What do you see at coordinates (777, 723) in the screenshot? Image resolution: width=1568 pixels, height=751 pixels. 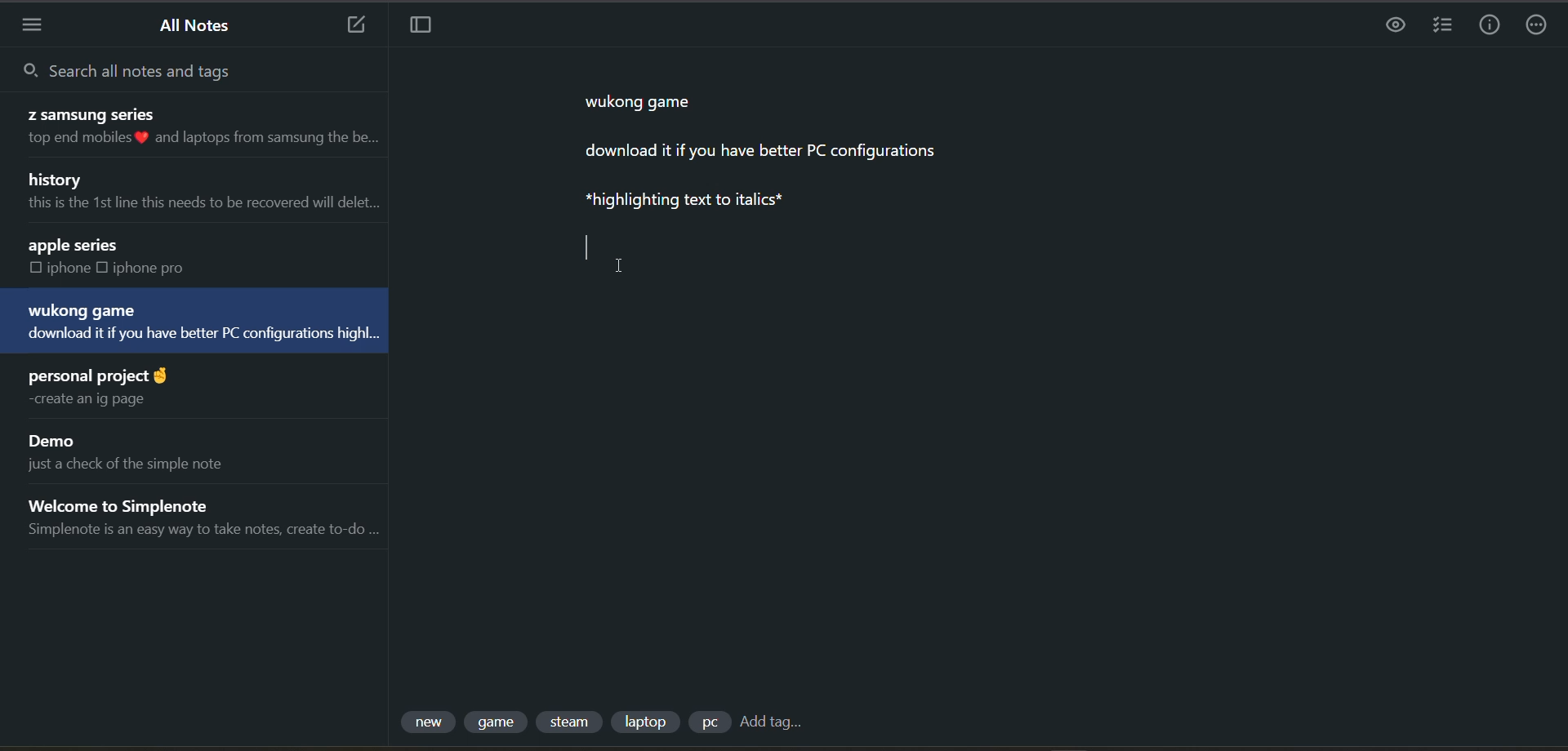 I see `add tag` at bounding box center [777, 723].